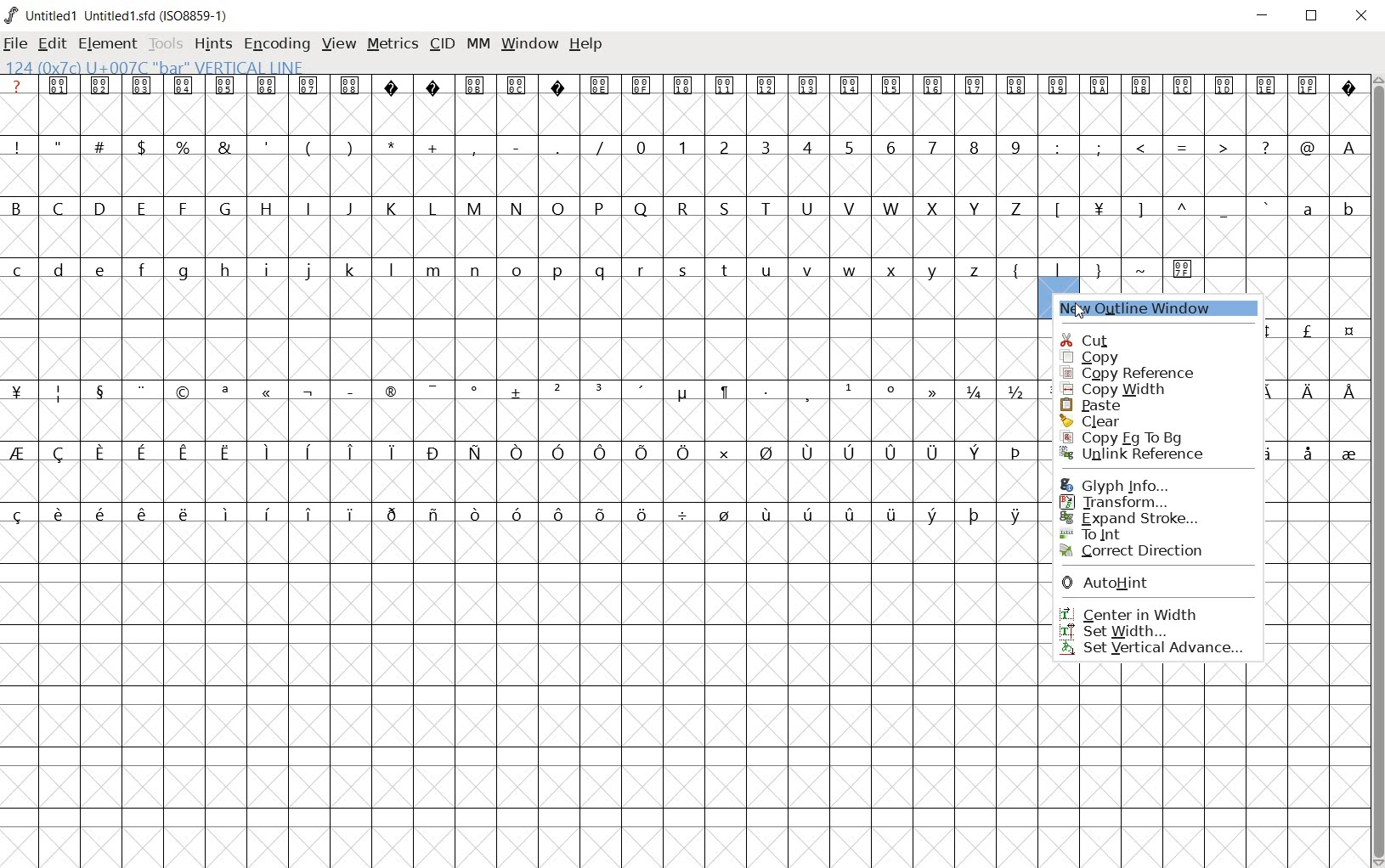 This screenshot has height=868, width=1385. Describe the element at coordinates (163, 65) in the screenshot. I see `124(0*7c)U+007c"bar"Vertical Line` at that location.